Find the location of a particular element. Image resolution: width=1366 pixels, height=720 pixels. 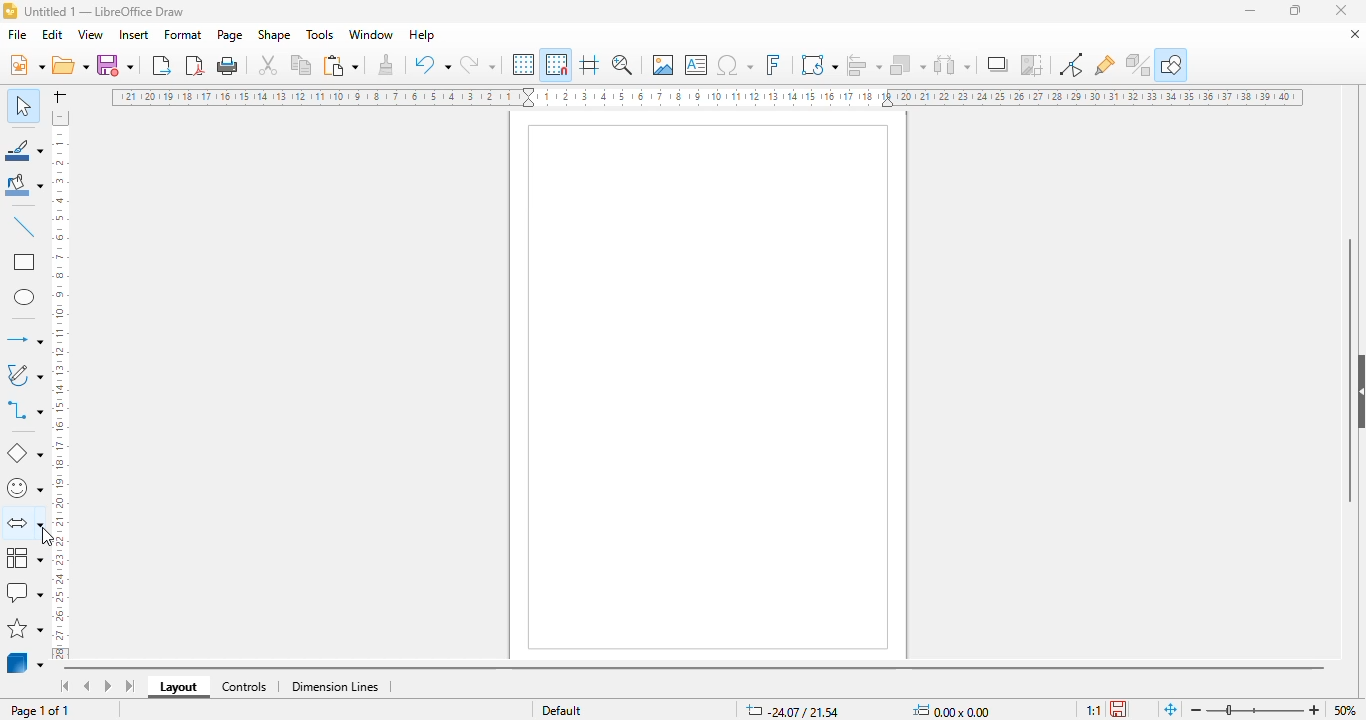

close document is located at coordinates (1355, 35).